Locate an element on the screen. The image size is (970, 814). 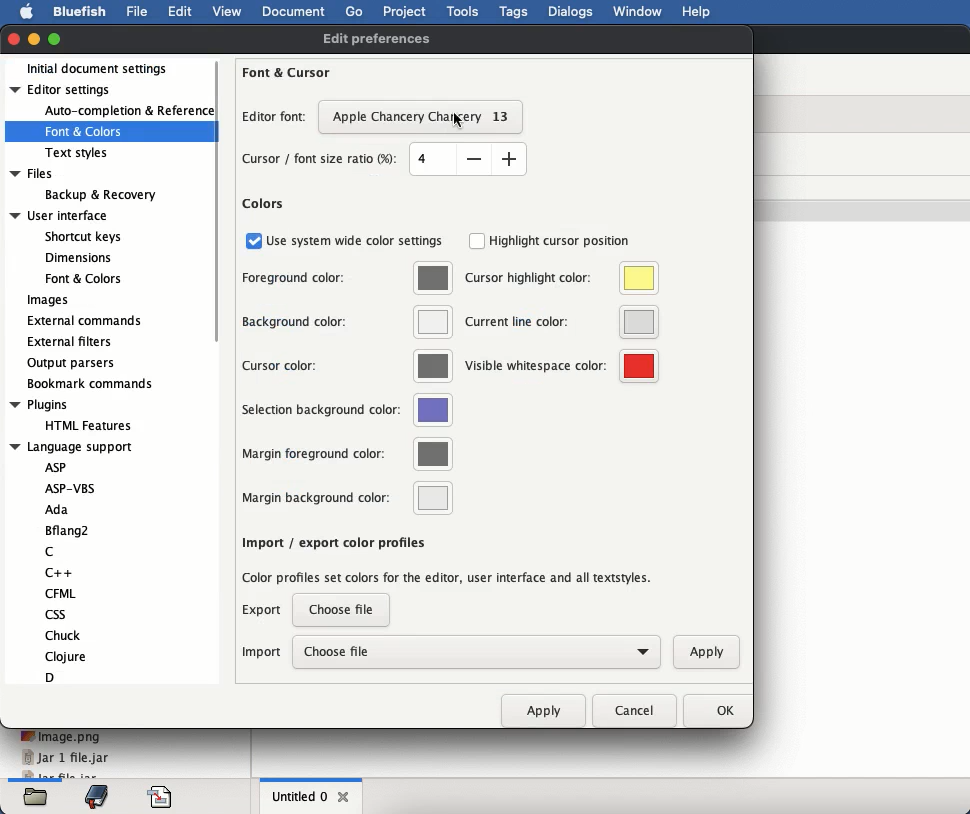
apple logo is located at coordinates (27, 12).